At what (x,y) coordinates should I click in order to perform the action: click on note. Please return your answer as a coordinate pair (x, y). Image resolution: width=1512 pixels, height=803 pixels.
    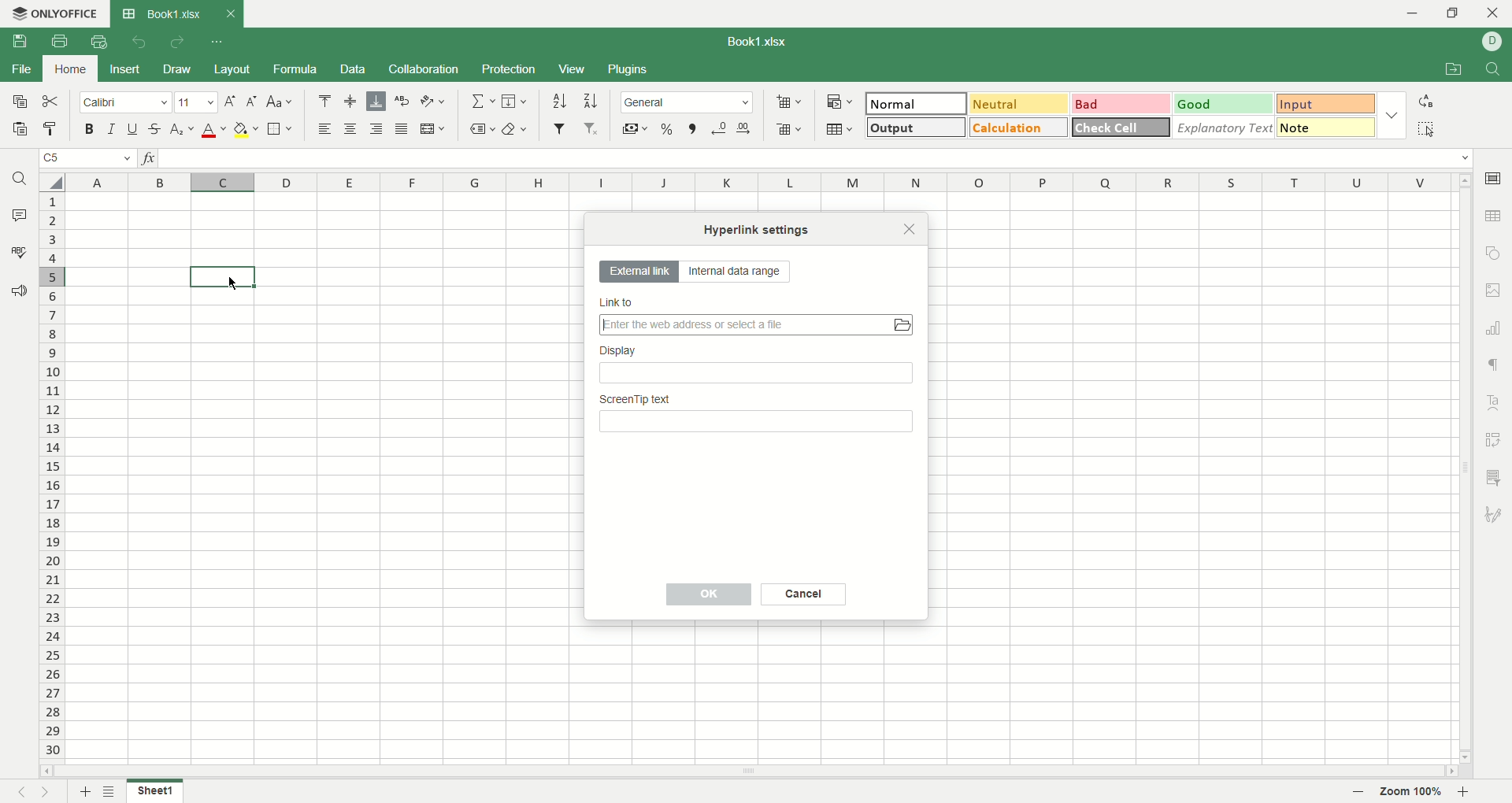
    Looking at the image, I should click on (1326, 127).